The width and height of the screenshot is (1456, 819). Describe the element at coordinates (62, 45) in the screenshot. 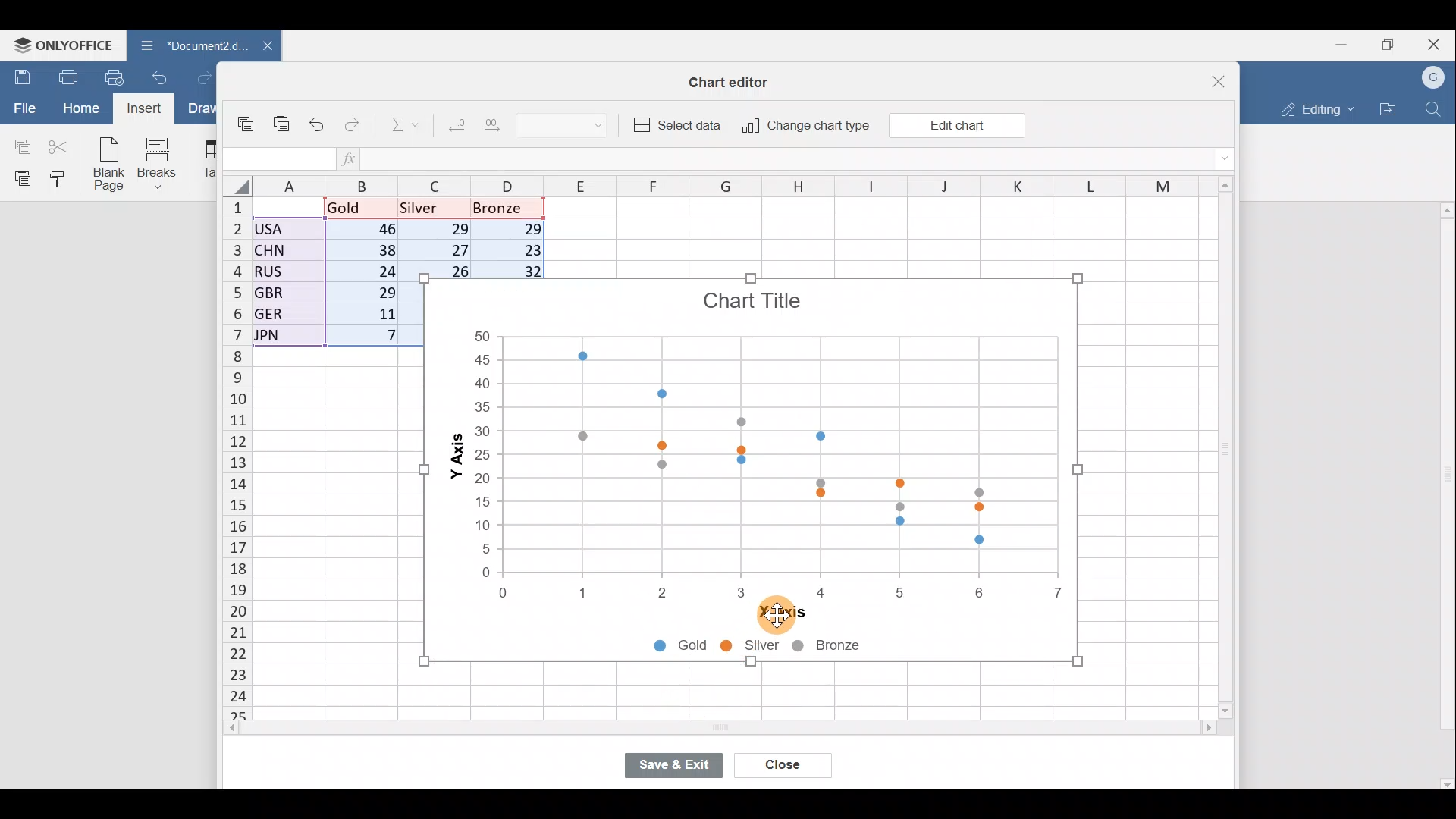

I see `ONLYOFFICE Menu` at that location.